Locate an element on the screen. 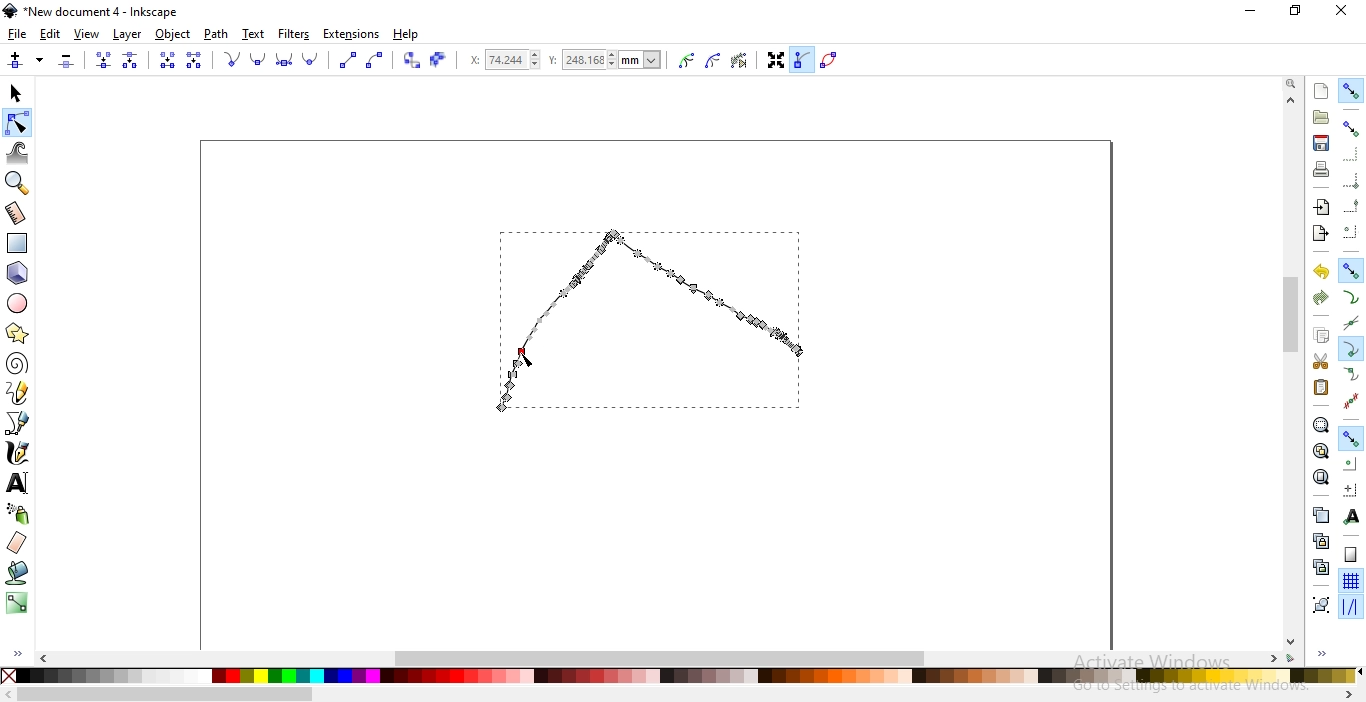 This screenshot has height=702, width=1366. redo is located at coordinates (1320, 298).